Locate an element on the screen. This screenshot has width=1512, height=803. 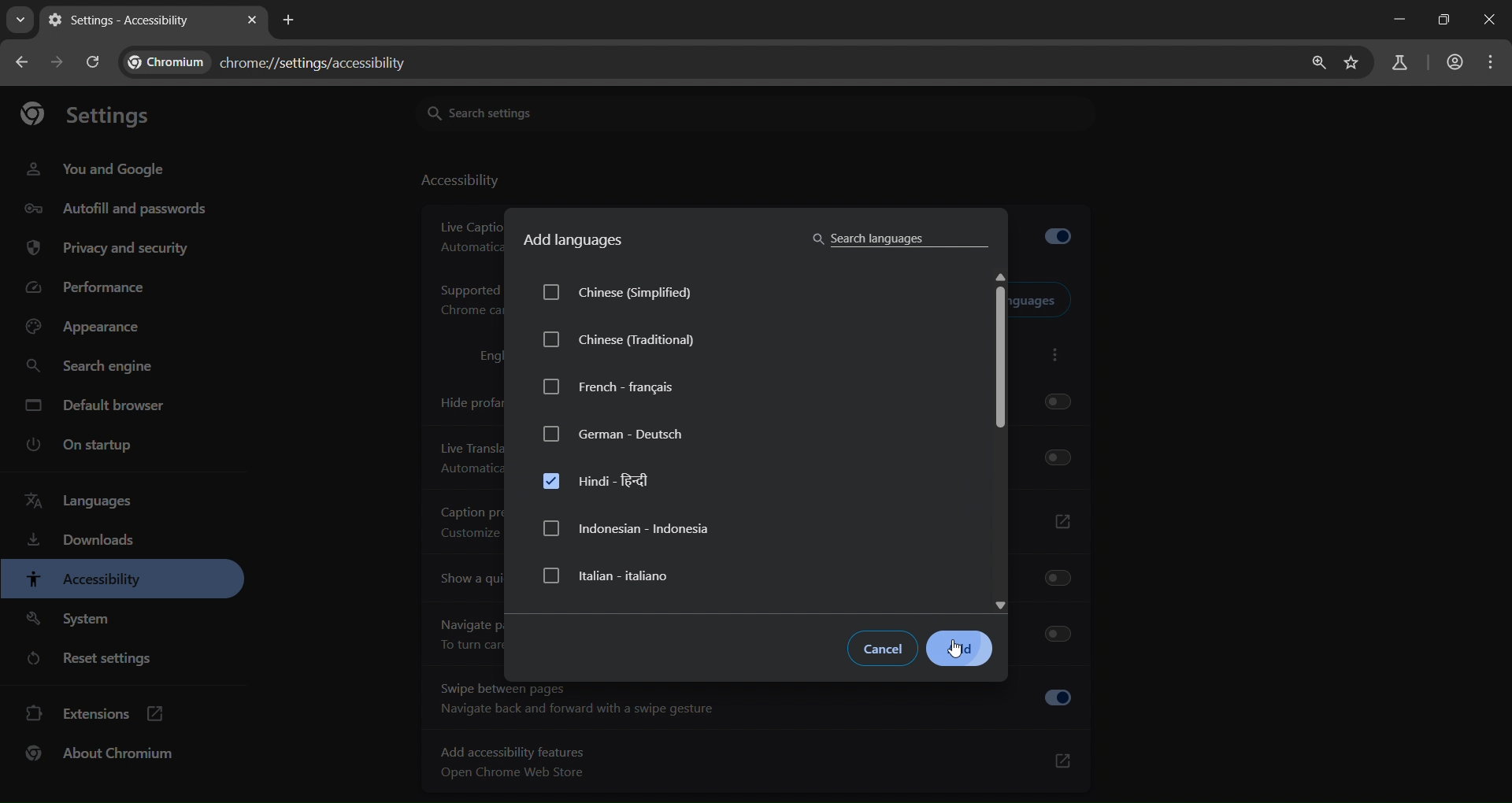
add is located at coordinates (961, 649).